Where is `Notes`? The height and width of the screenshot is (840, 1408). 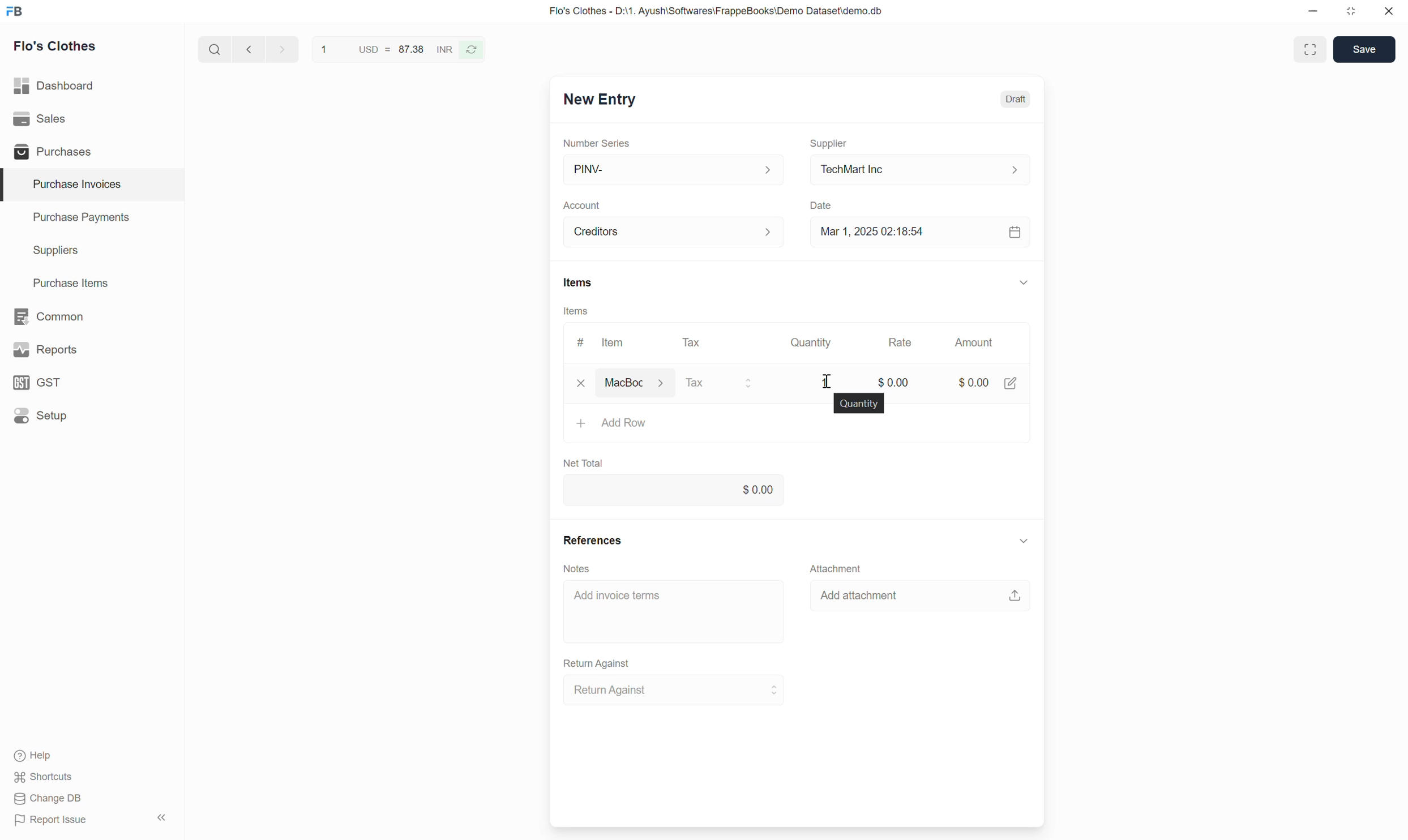 Notes is located at coordinates (577, 569).